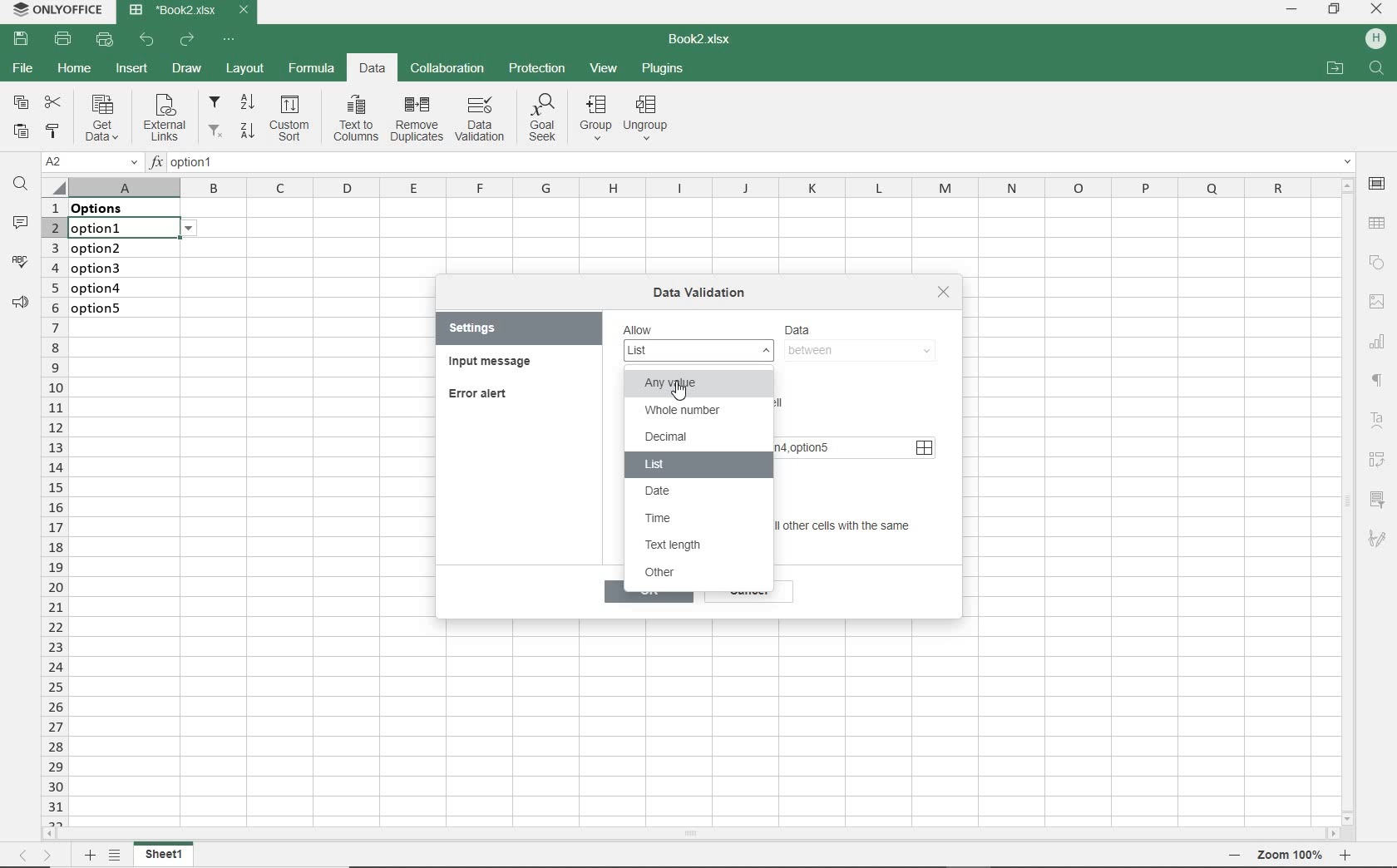 The width and height of the screenshot is (1397, 868). I want to click on FORMULA, so click(309, 70).